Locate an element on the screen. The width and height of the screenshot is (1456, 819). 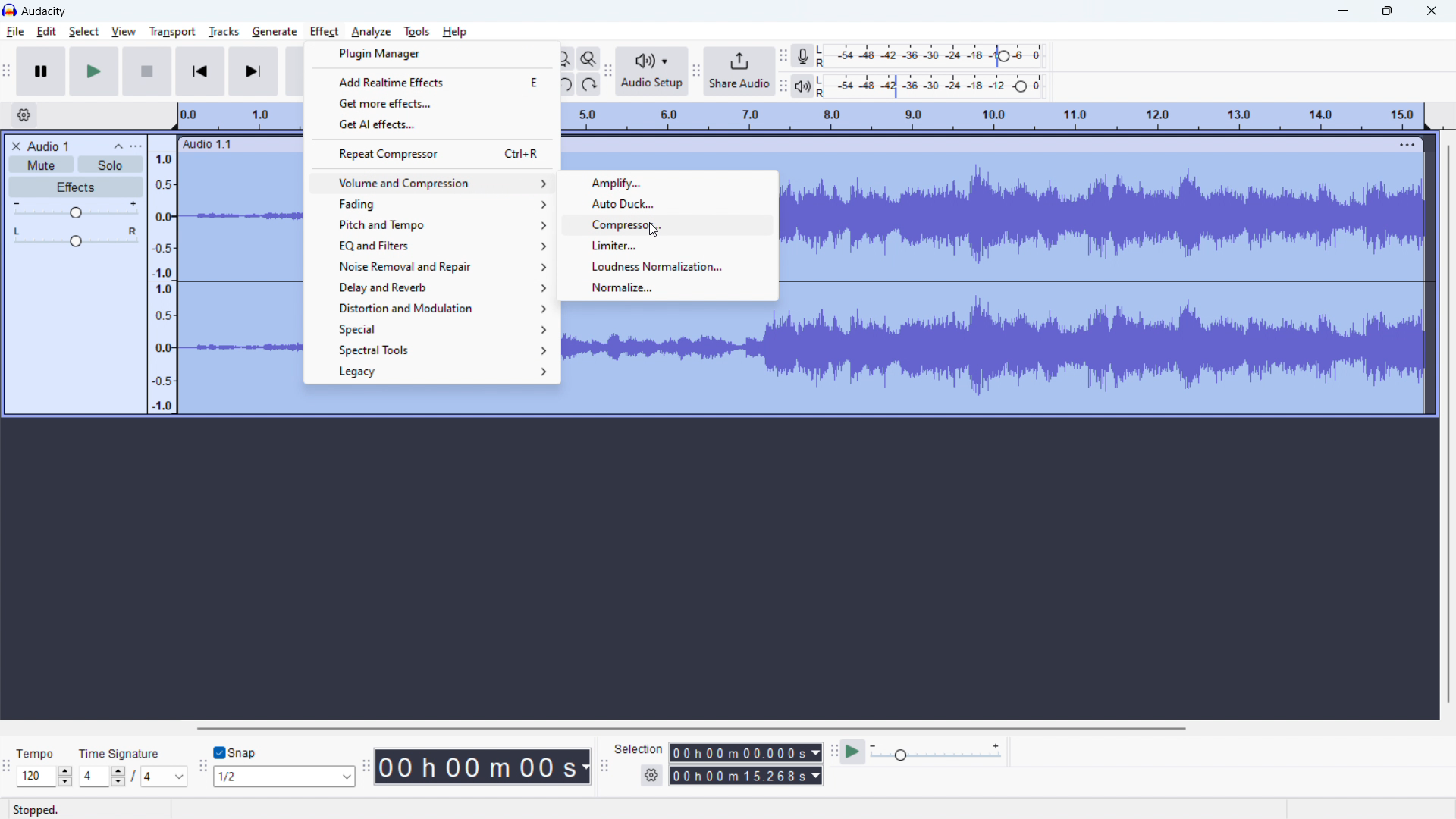
menu is located at coordinates (1409, 144).